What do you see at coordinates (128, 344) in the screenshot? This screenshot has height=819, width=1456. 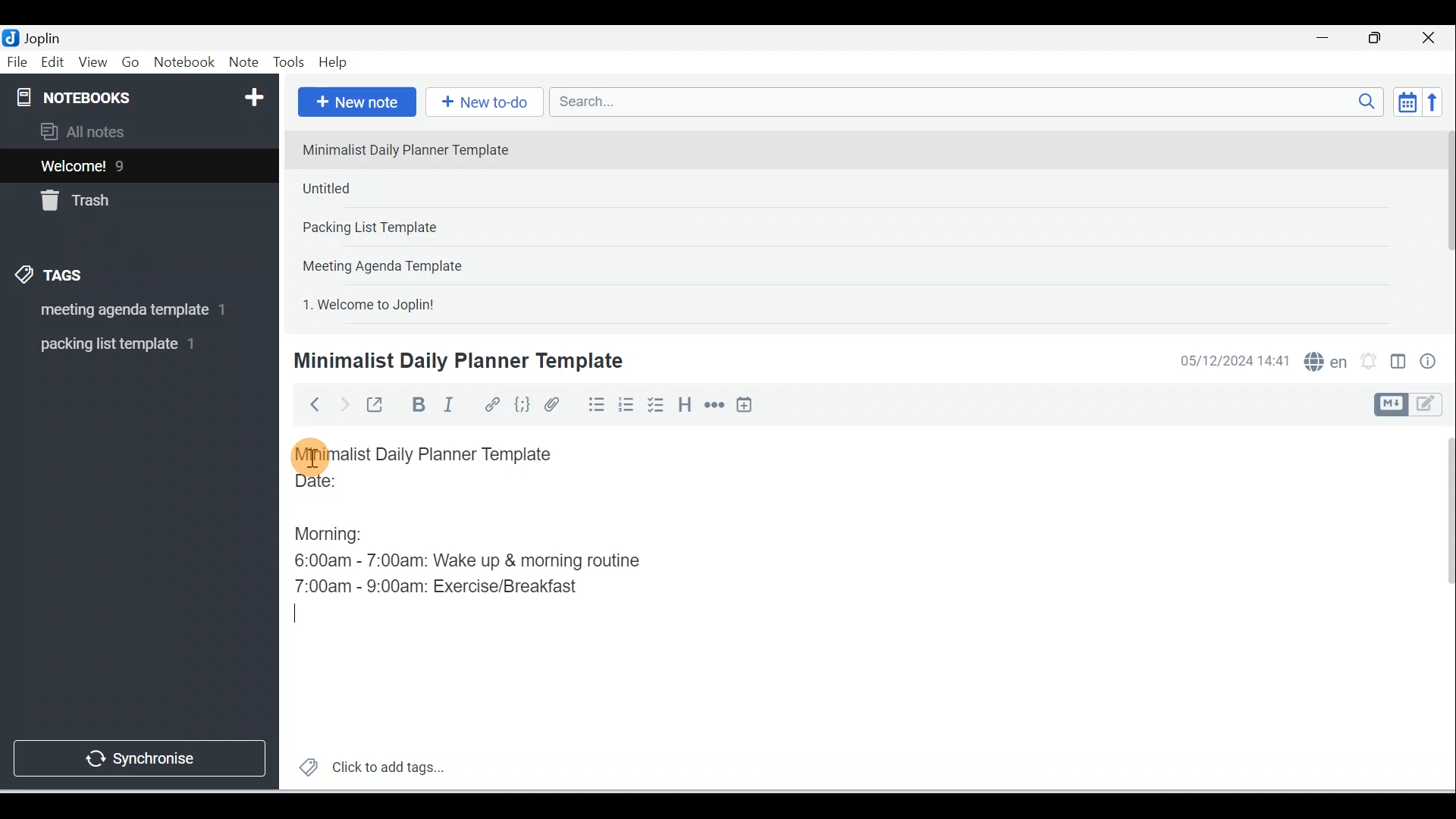 I see `Tag 2` at bounding box center [128, 344].